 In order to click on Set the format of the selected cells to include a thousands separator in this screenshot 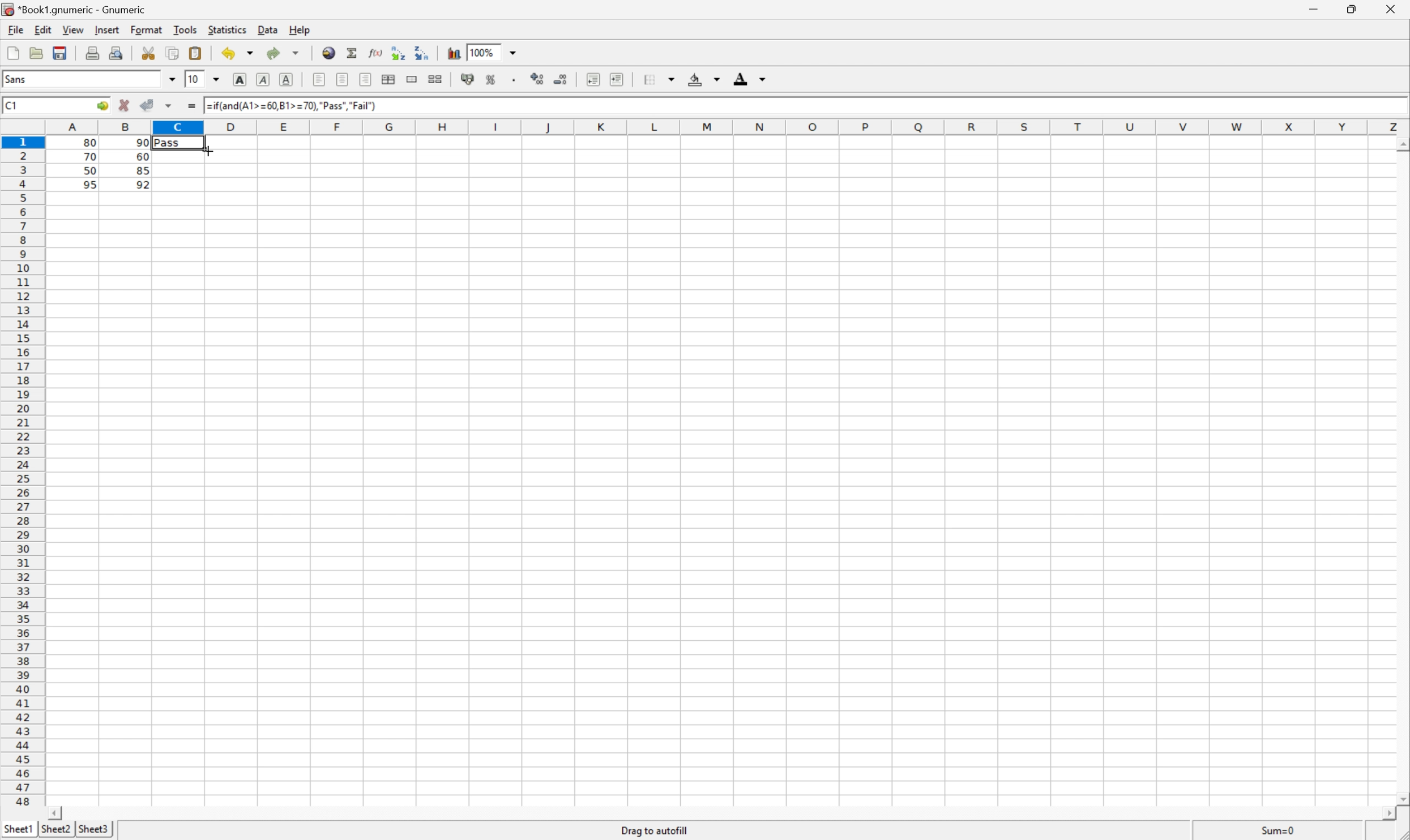, I will do `click(516, 77)`.